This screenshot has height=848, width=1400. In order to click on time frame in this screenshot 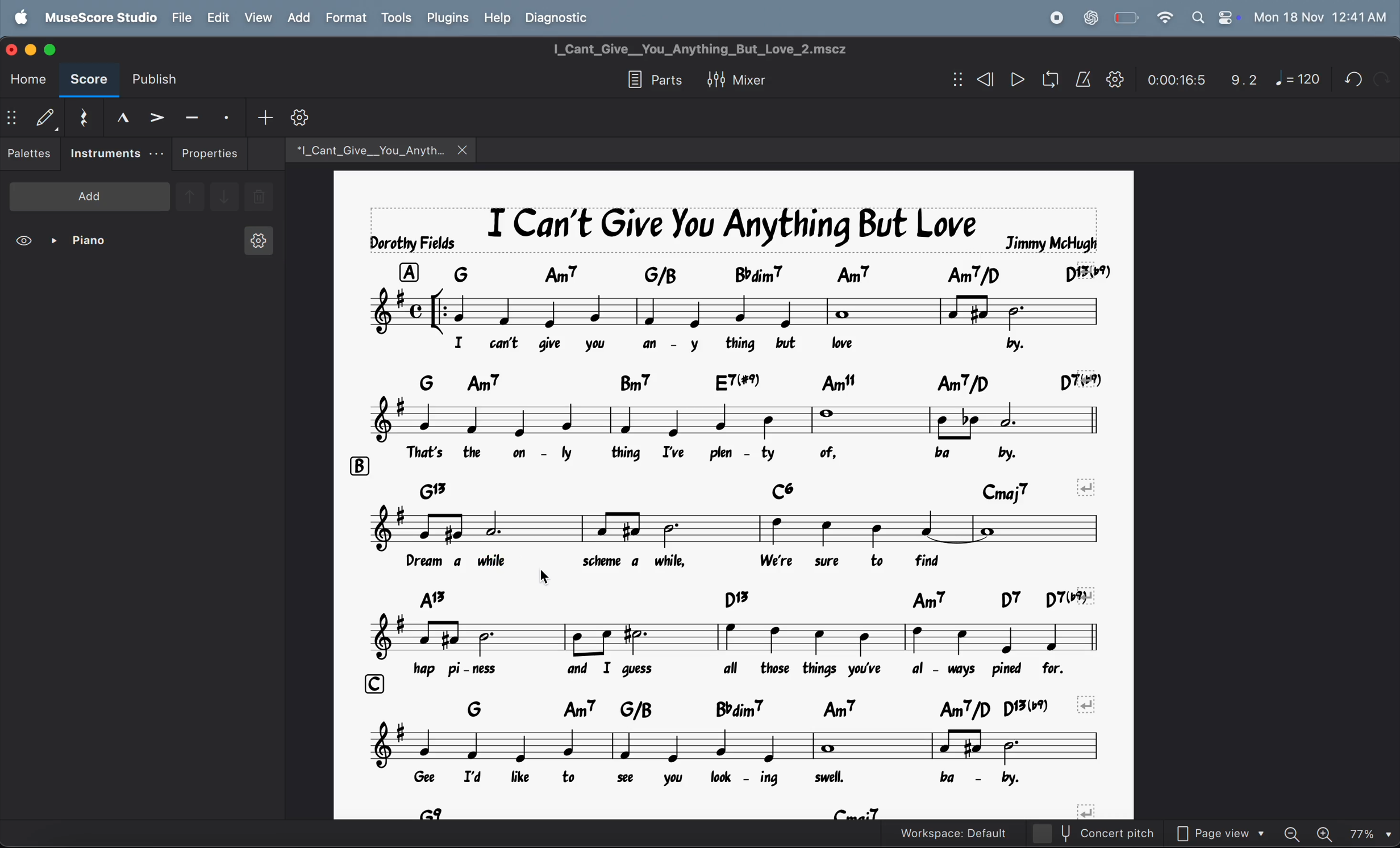, I will do `click(1171, 81)`.